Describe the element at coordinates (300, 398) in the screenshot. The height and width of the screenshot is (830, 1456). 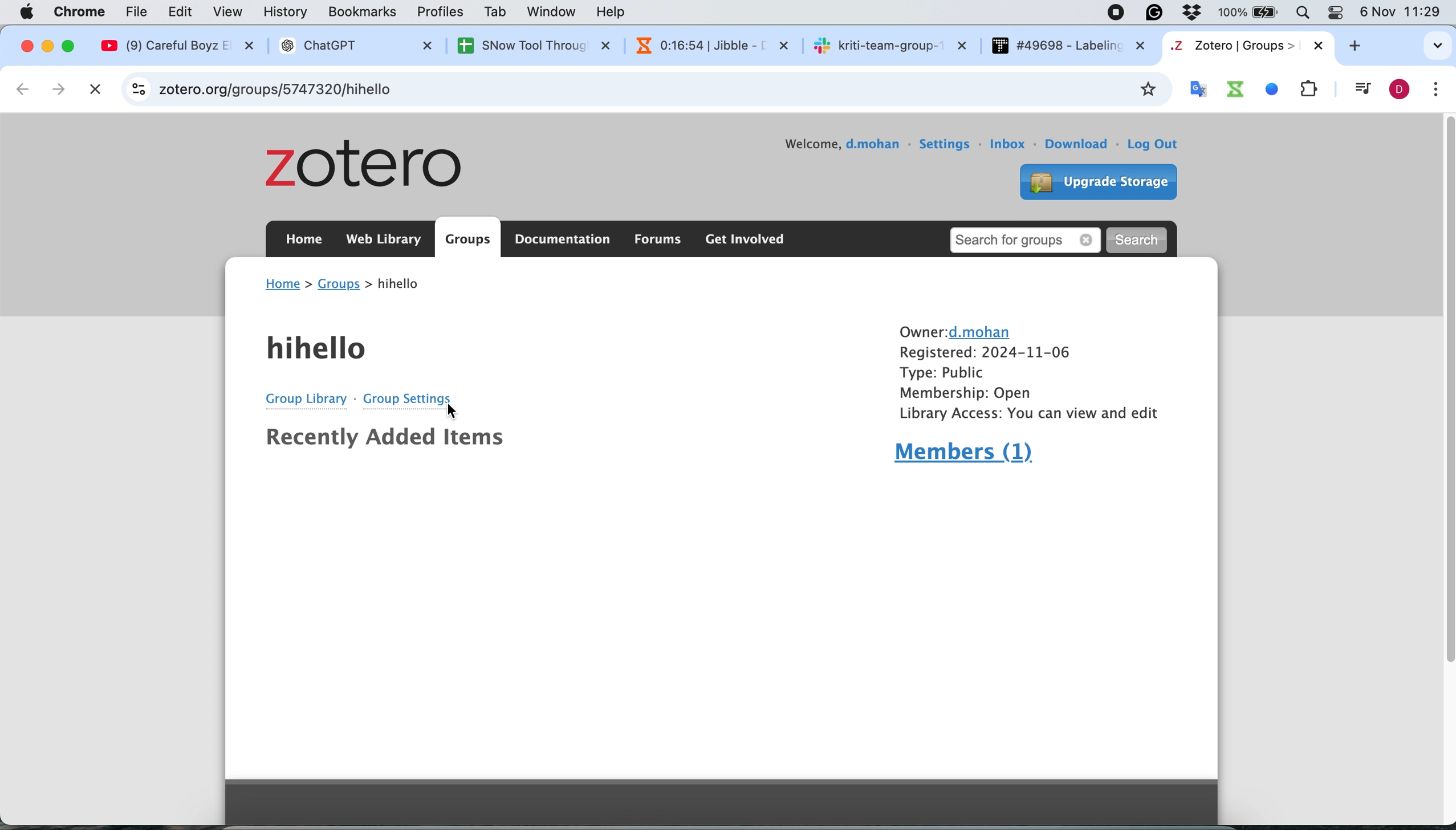
I see `group library` at that location.